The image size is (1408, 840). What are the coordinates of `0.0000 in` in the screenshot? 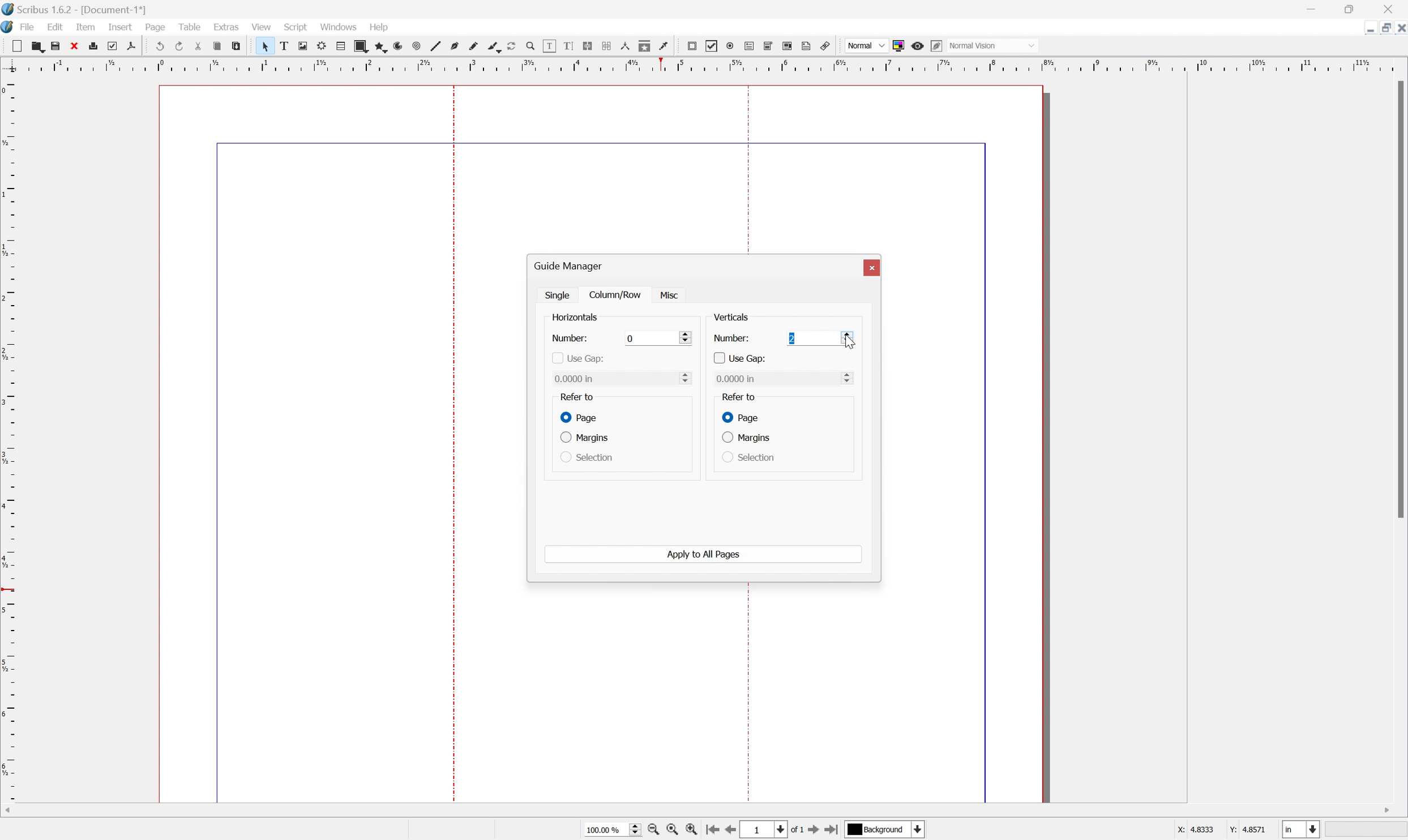 It's located at (785, 379).